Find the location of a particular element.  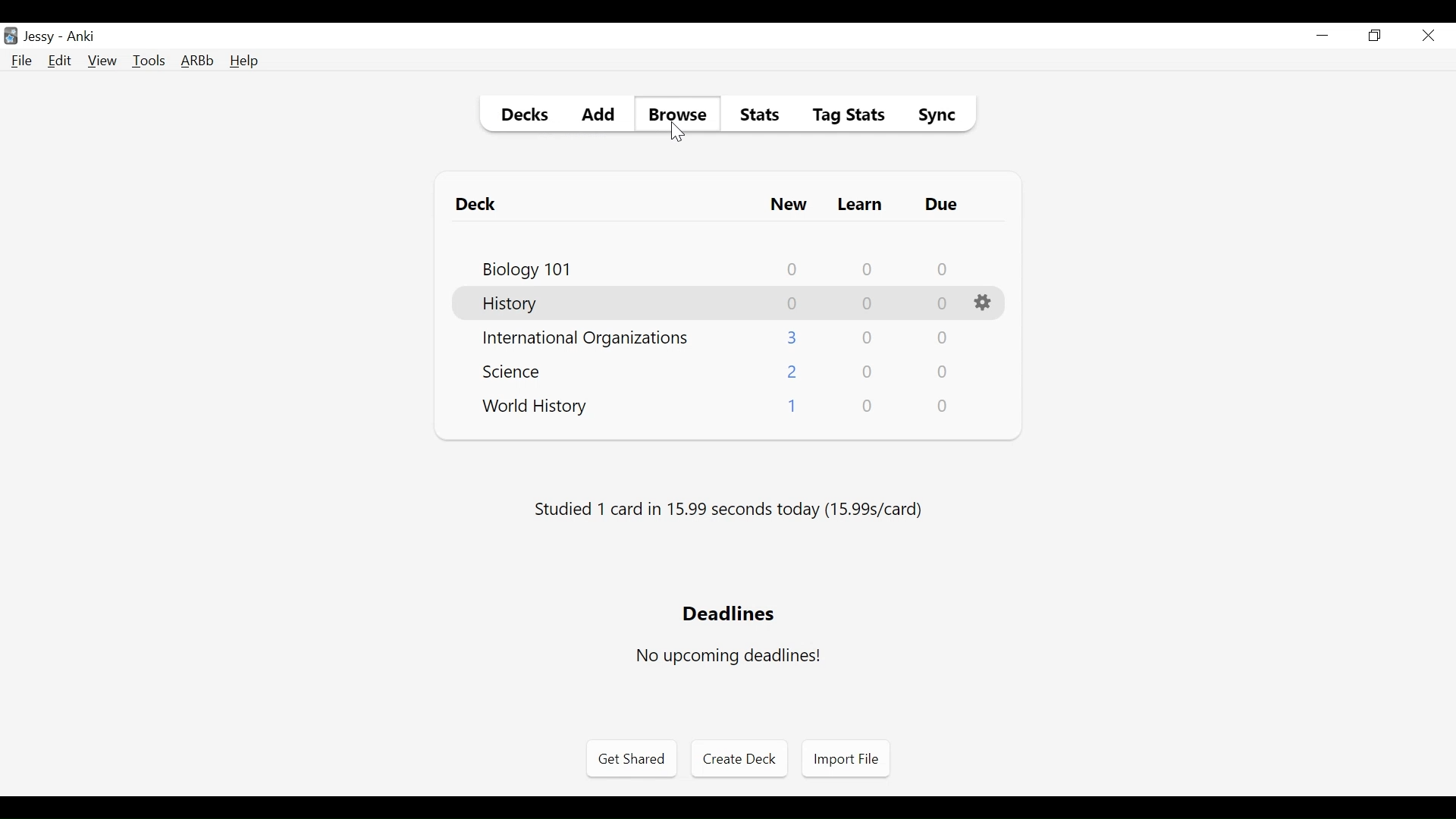

Get Shared is located at coordinates (632, 758).